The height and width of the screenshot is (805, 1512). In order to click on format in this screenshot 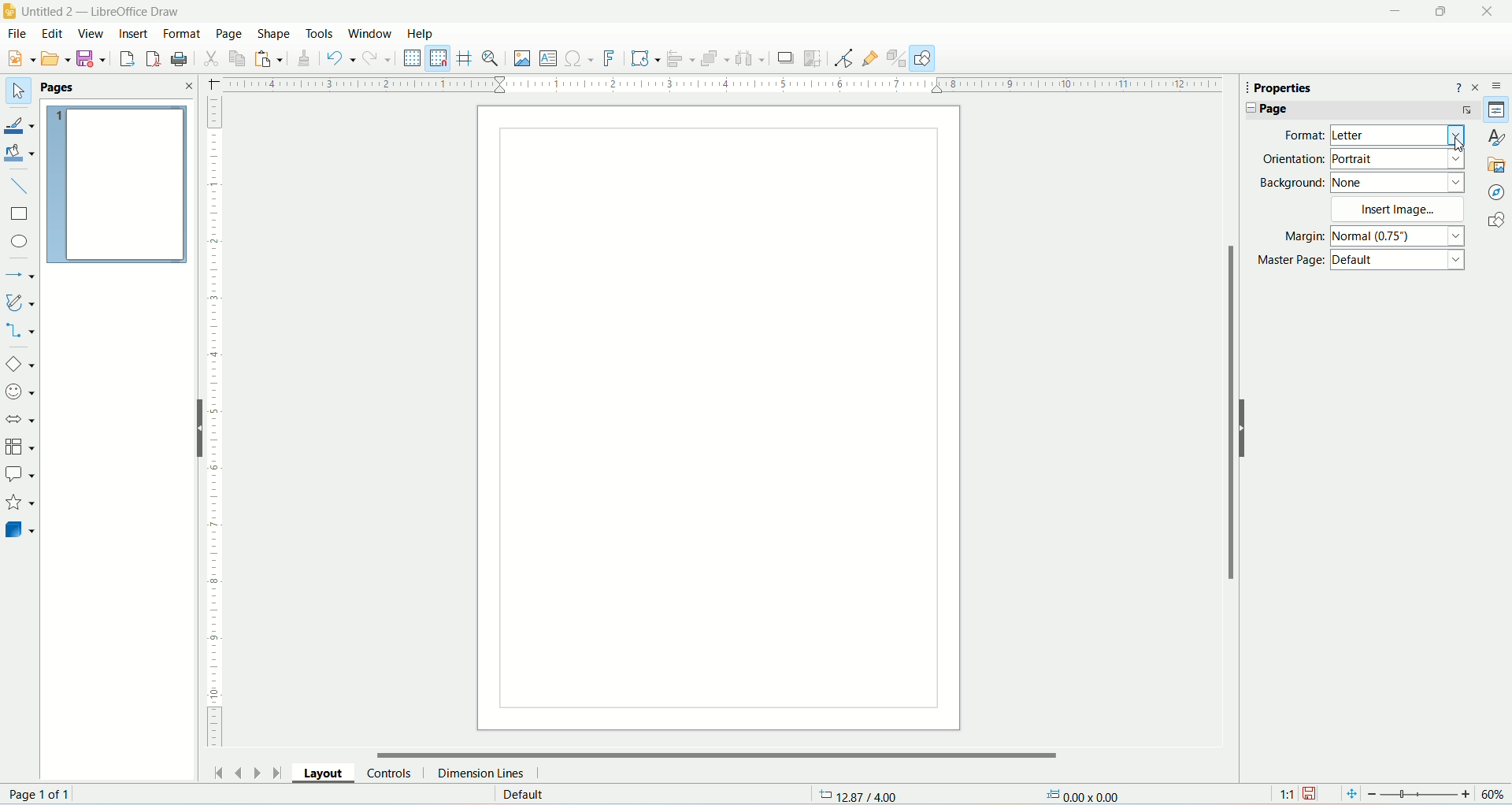, I will do `click(183, 33)`.